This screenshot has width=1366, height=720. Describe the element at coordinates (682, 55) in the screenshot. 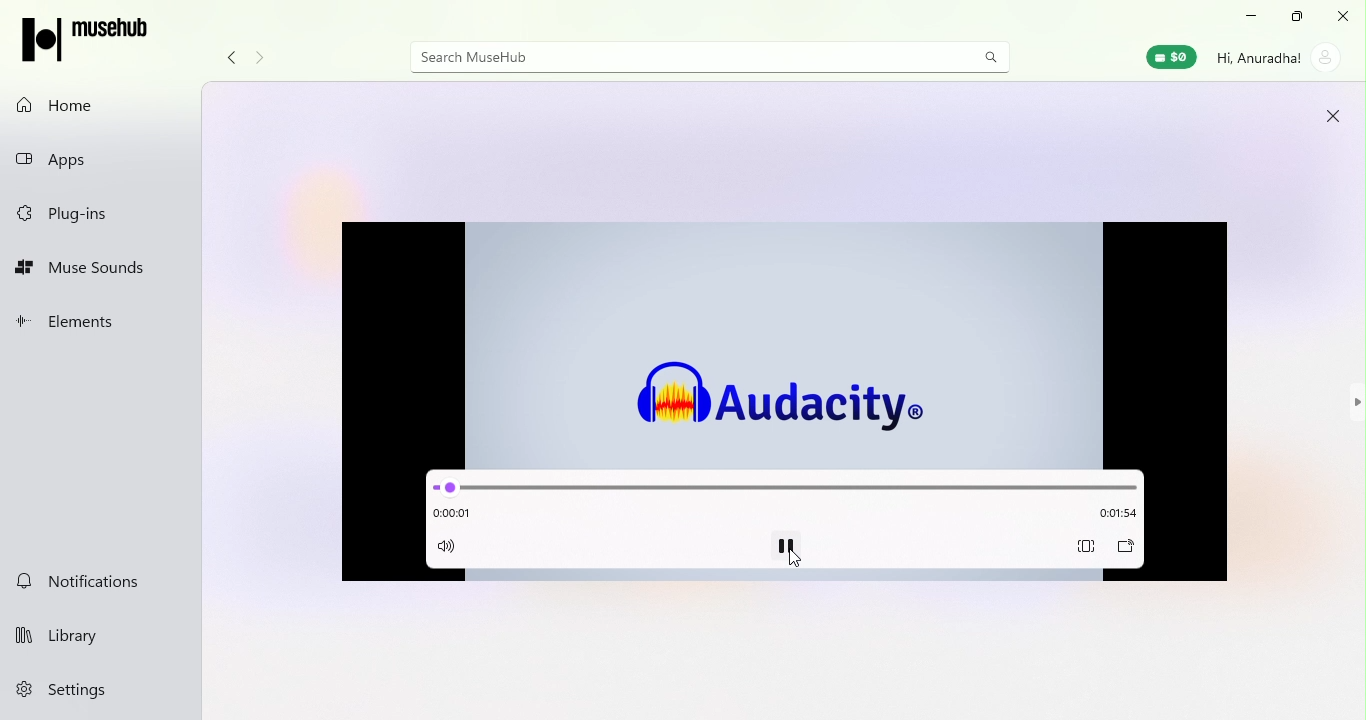

I see `Search bar` at that location.